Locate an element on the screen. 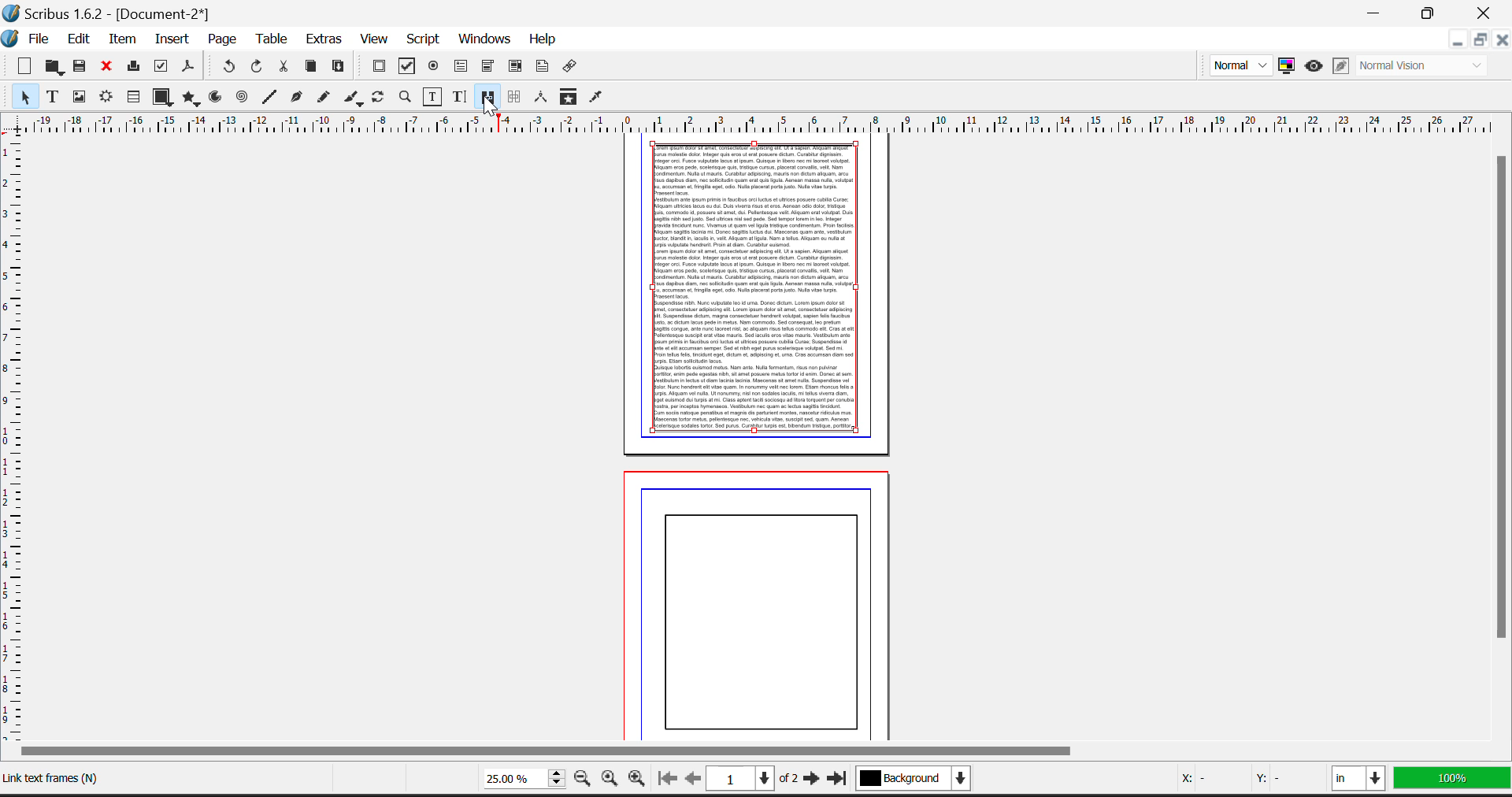 This screenshot has width=1512, height=797. Delink Text Frames is located at coordinates (516, 97).